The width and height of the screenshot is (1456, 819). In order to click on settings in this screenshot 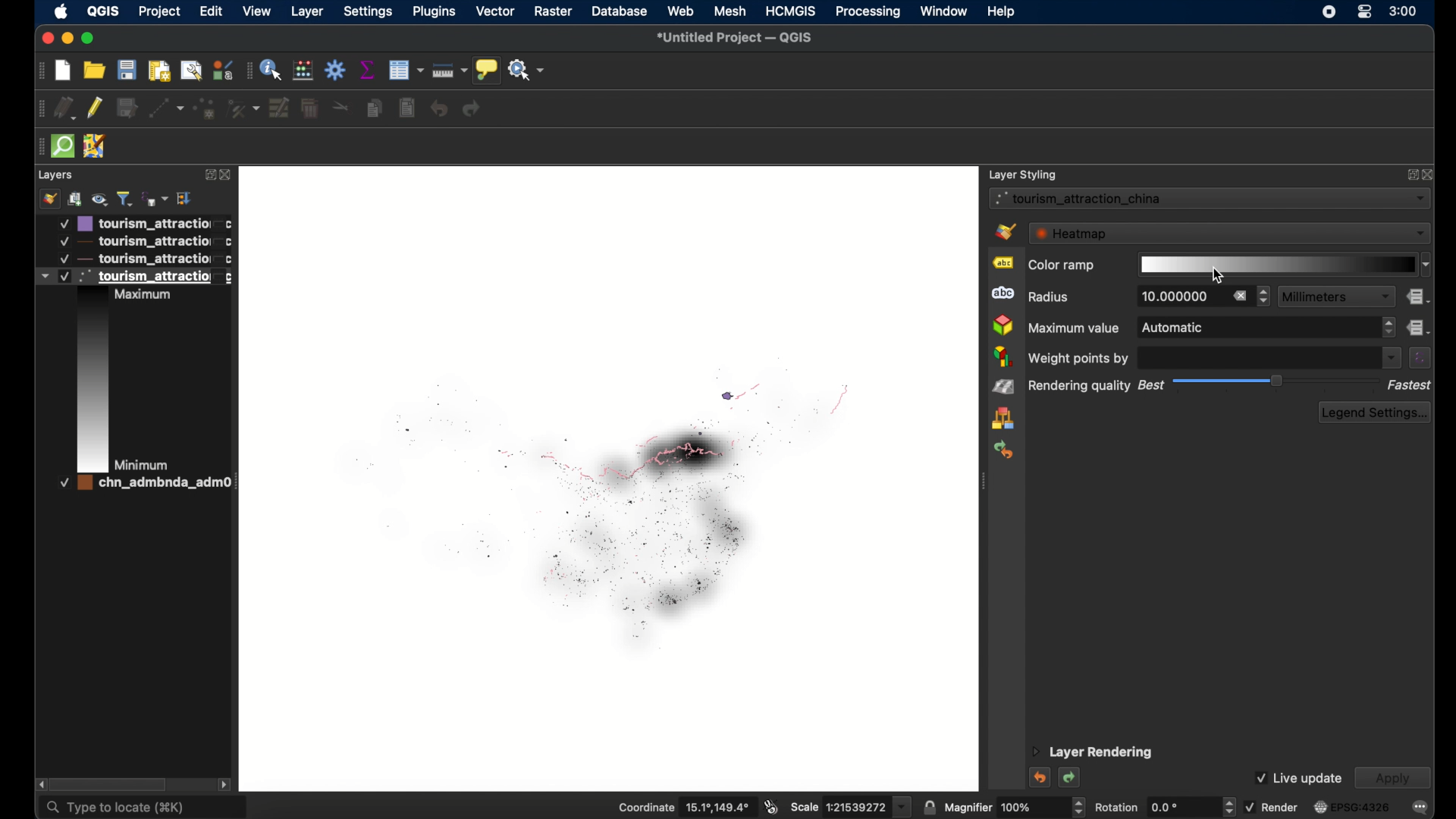, I will do `click(370, 13)`.